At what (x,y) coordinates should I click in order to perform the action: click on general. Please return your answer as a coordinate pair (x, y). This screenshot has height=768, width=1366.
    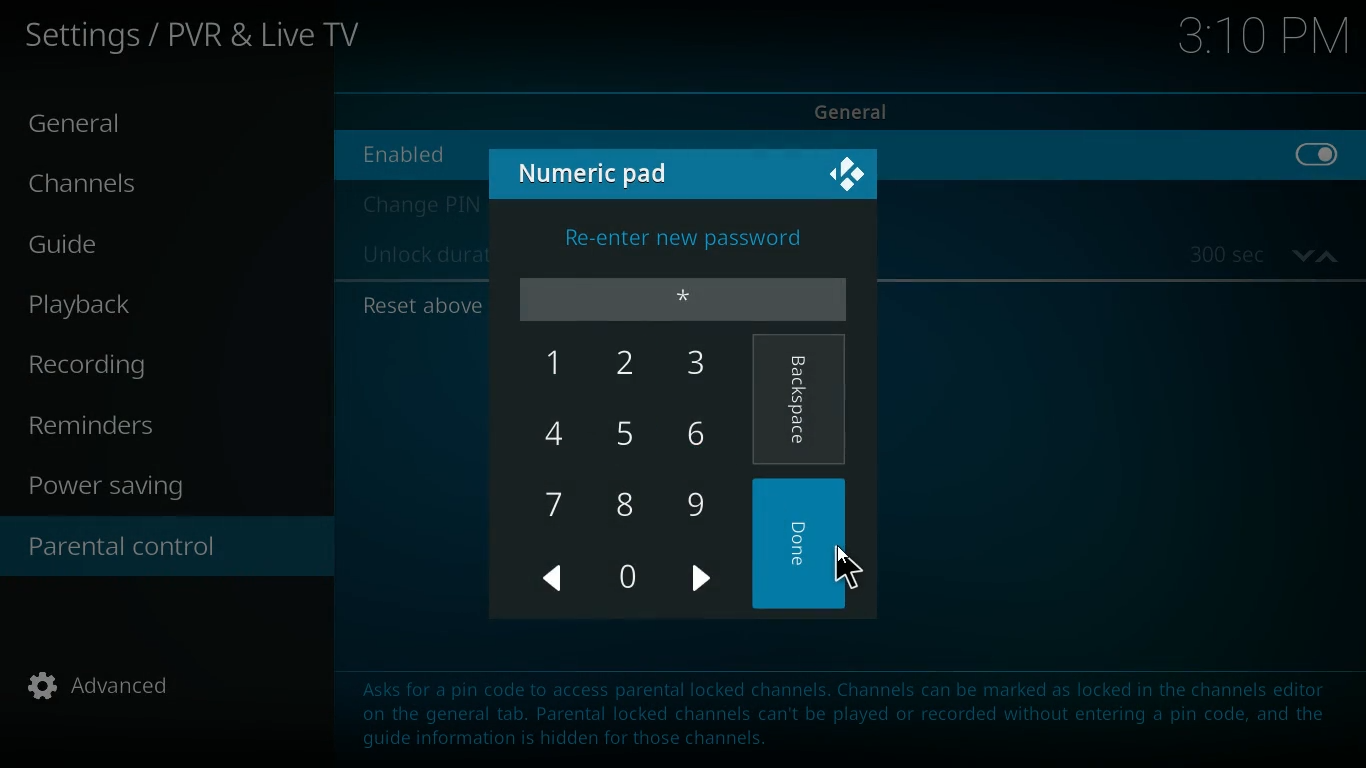
    Looking at the image, I should click on (868, 109).